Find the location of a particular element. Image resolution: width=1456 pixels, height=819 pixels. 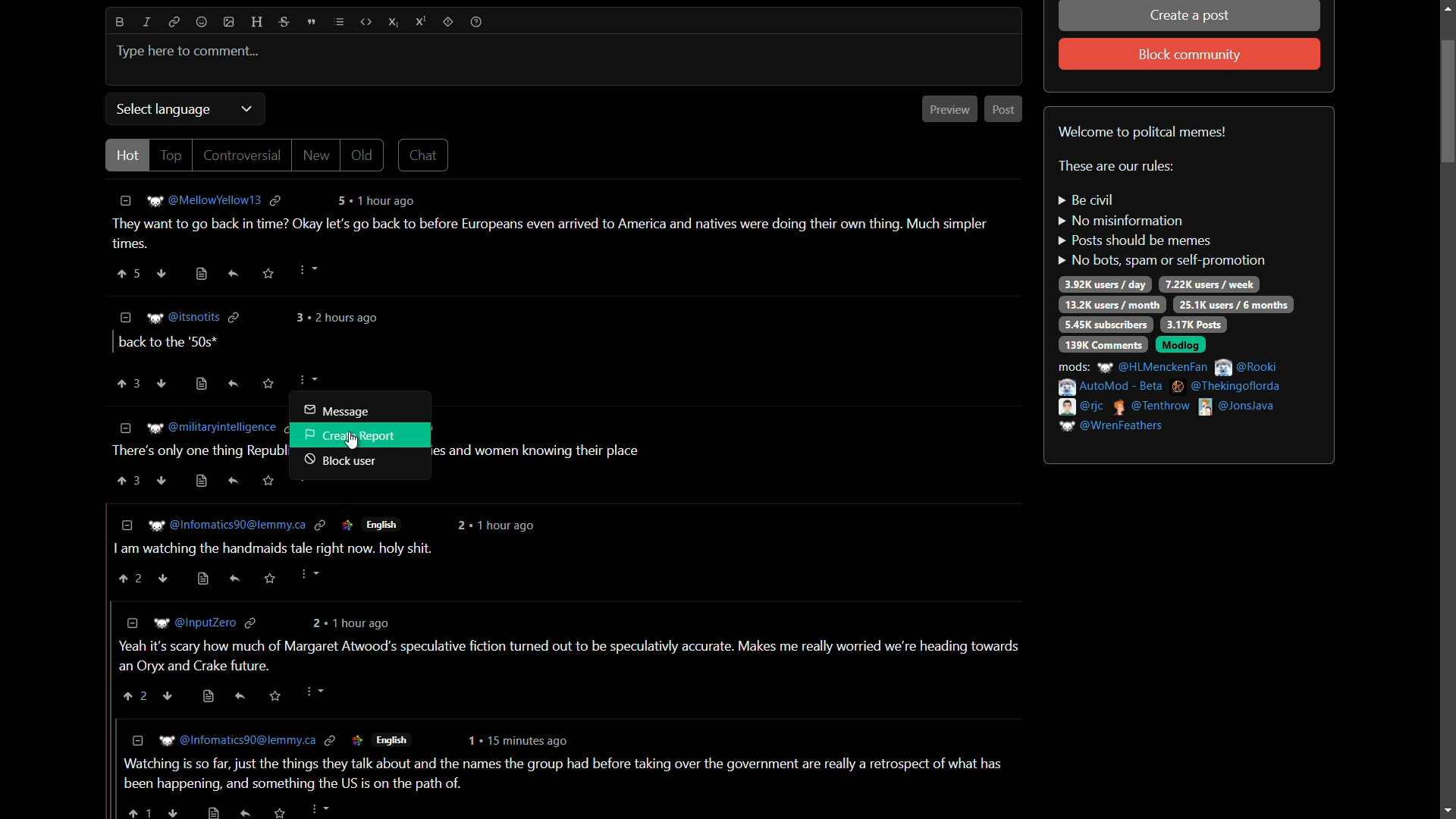

Cursor is located at coordinates (306, 388).